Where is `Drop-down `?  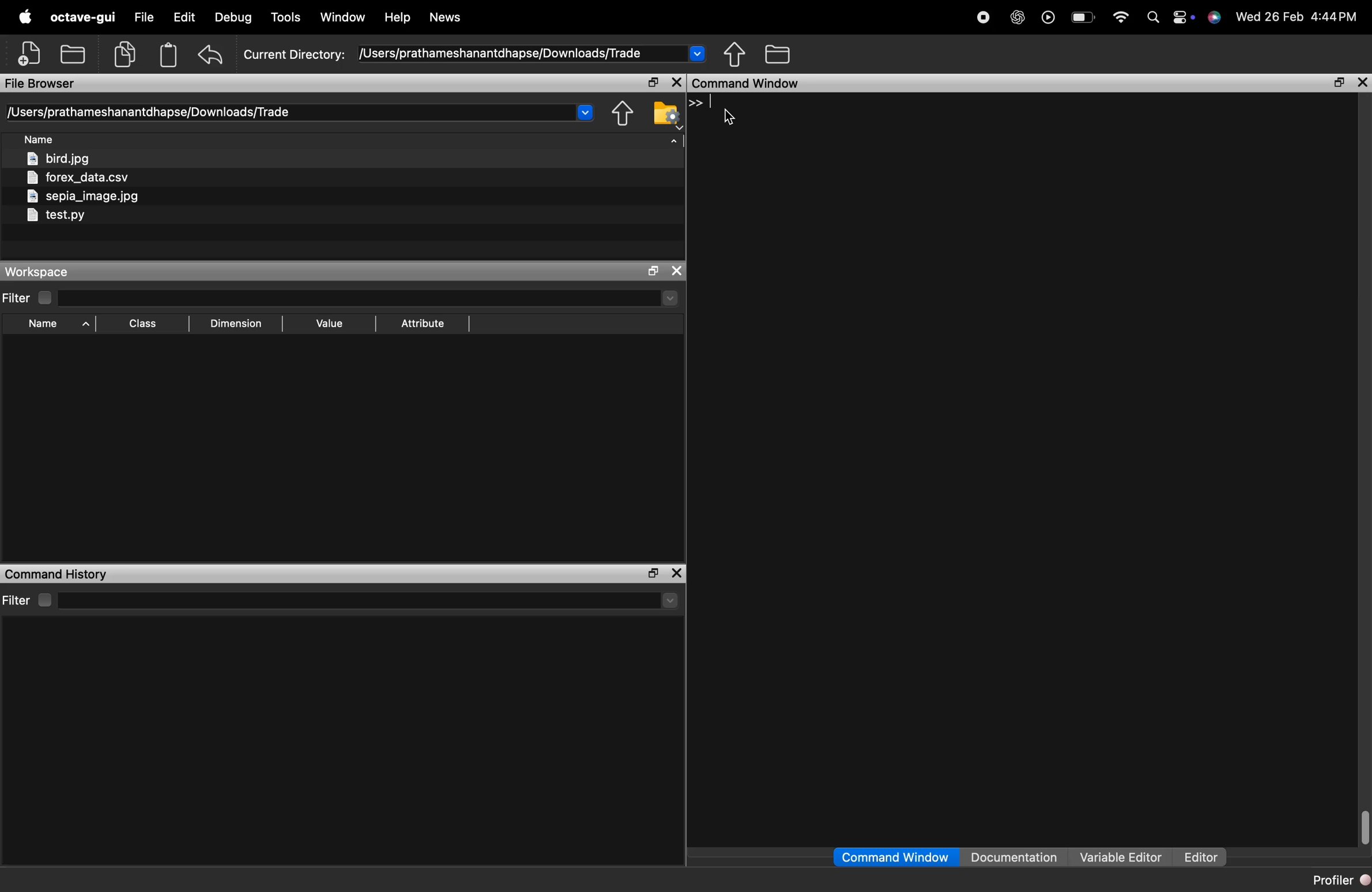
Drop-down  is located at coordinates (671, 600).